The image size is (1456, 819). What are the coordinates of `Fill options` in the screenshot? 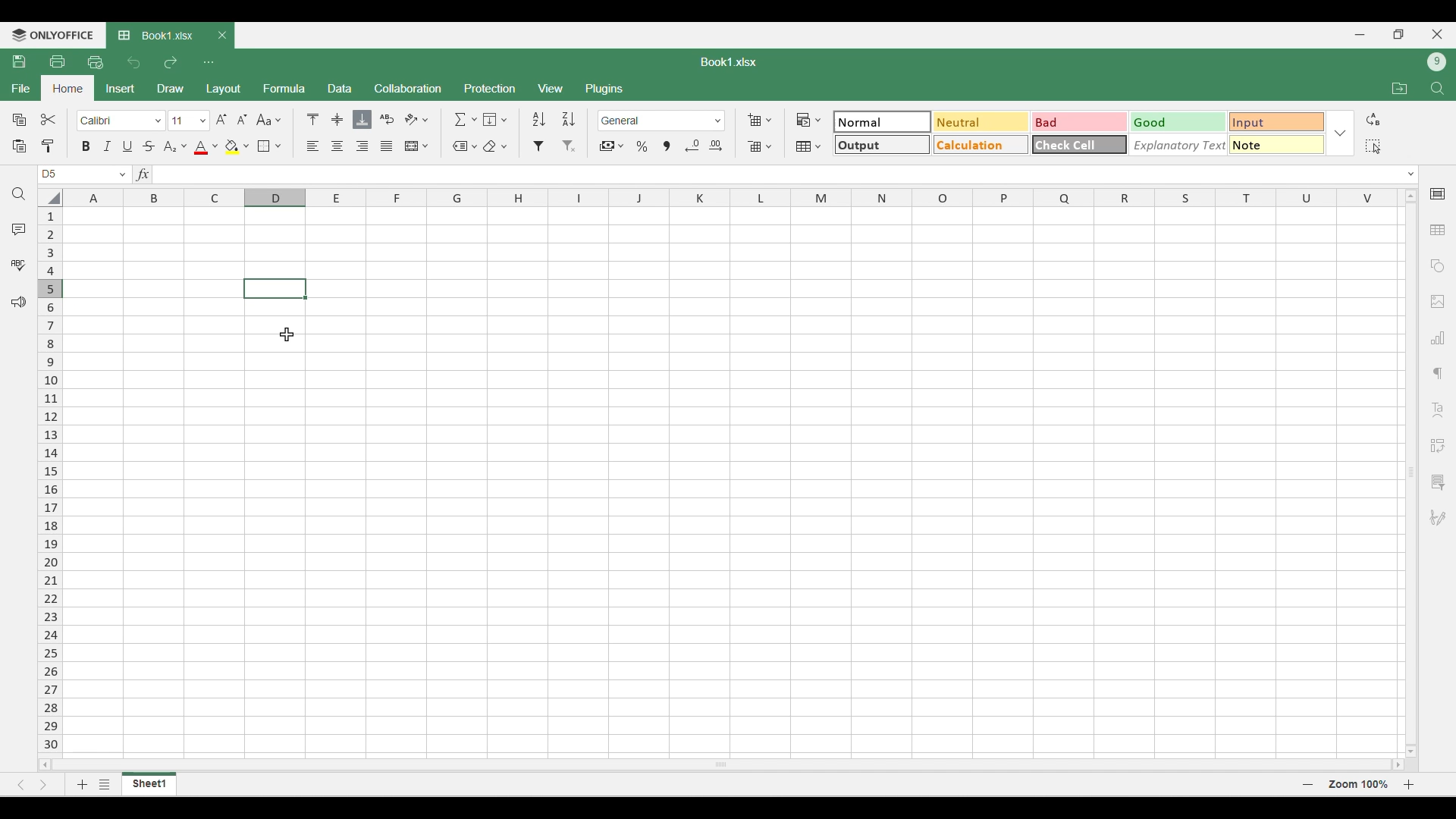 It's located at (495, 119).